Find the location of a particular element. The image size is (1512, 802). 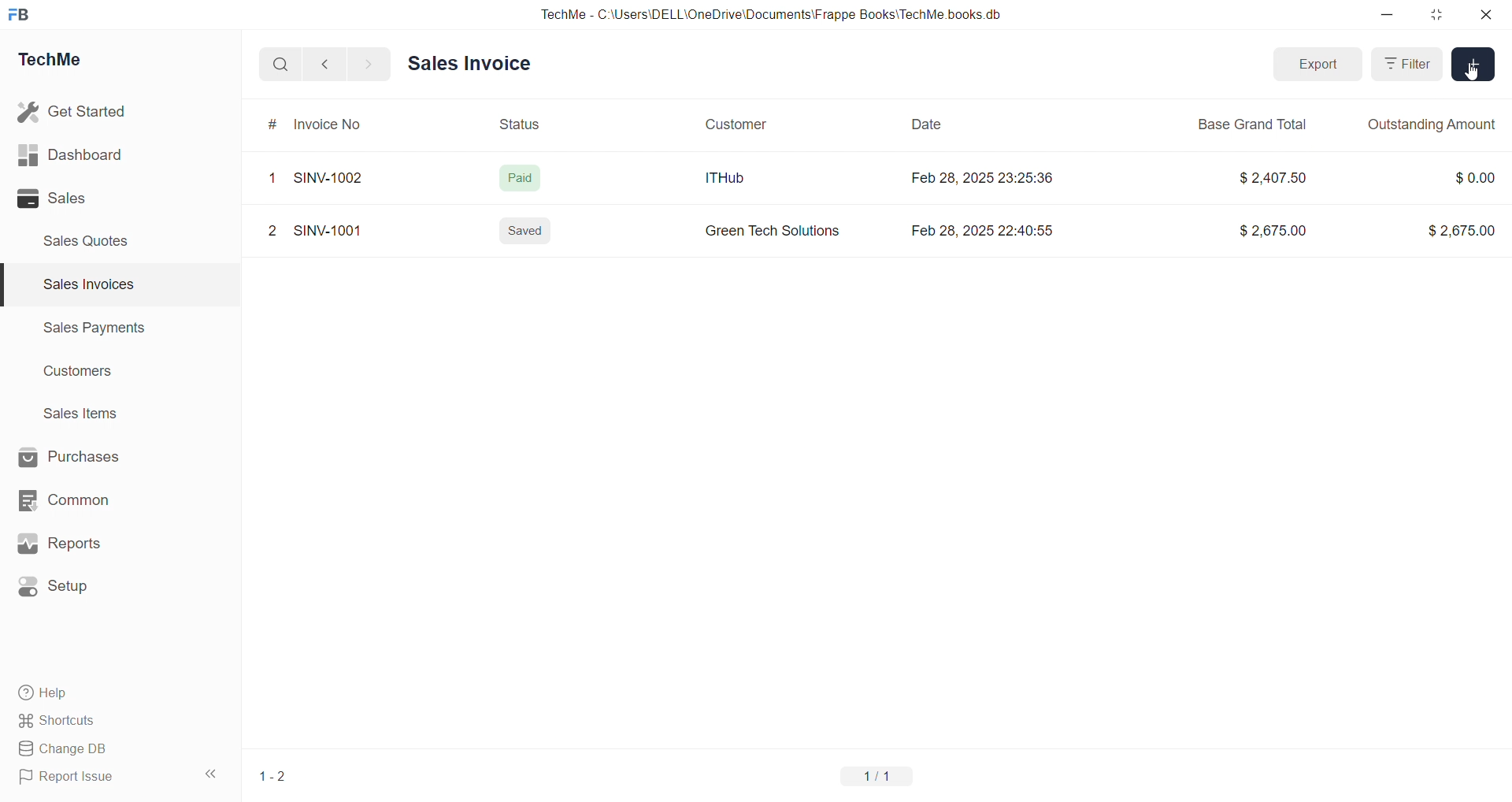

TechMe is located at coordinates (63, 62).